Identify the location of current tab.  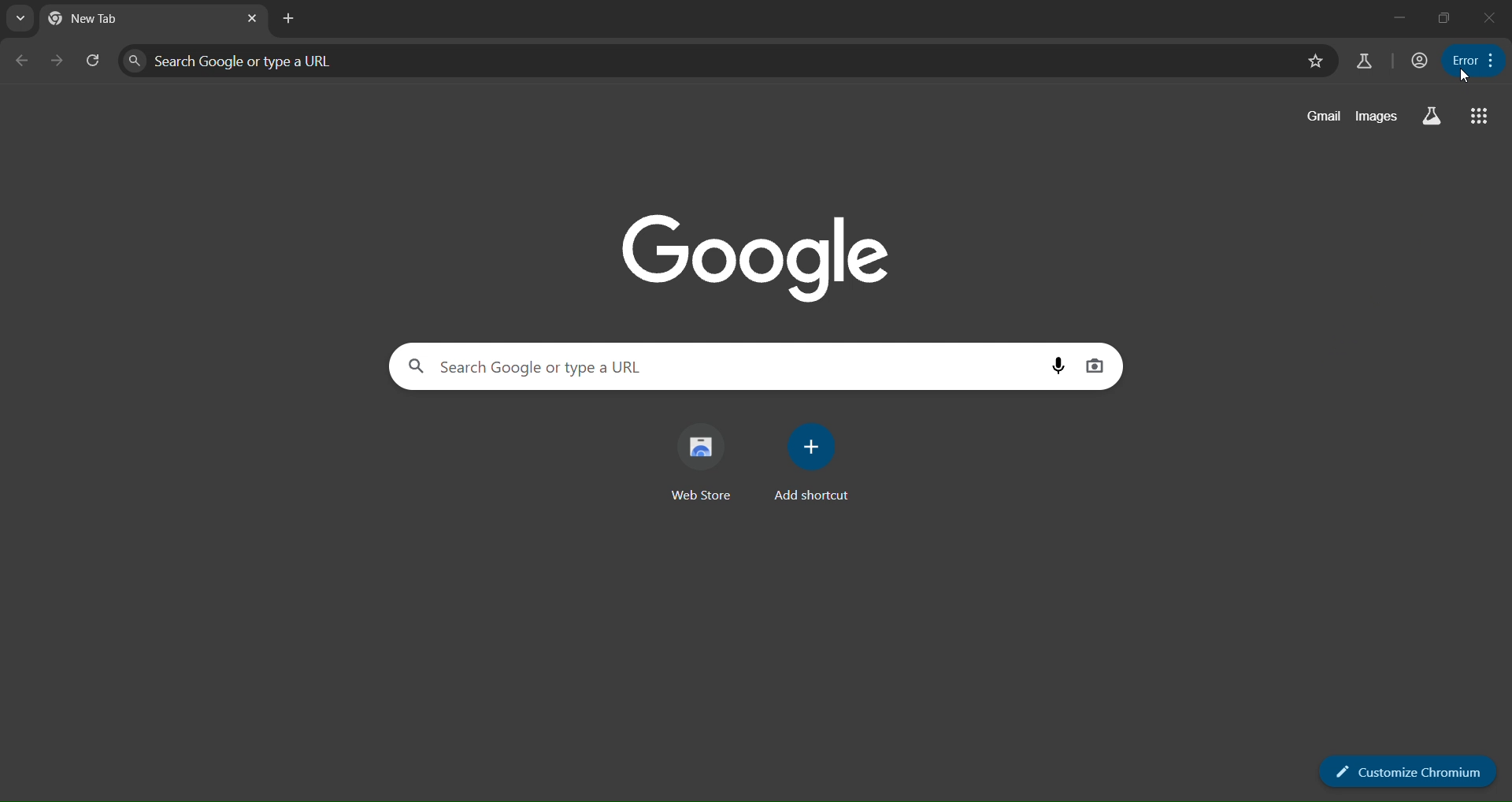
(107, 18).